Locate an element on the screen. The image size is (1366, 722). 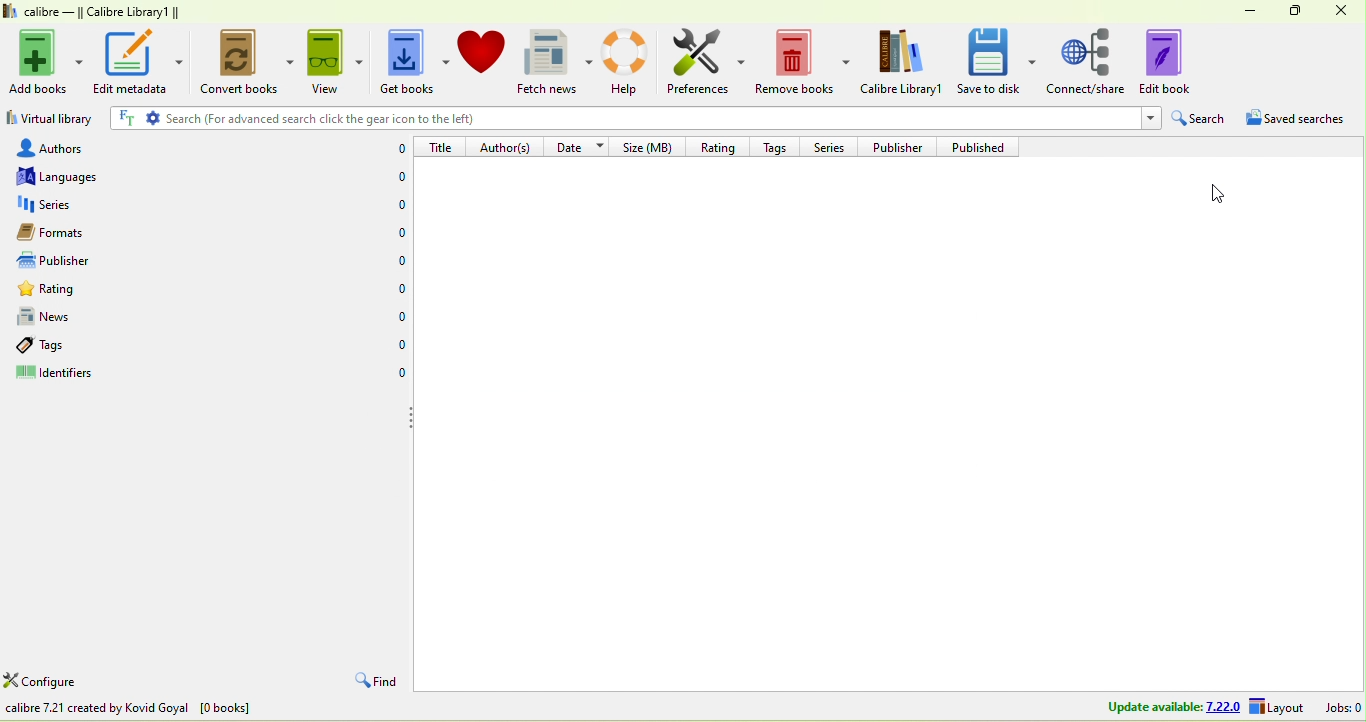
convert books is located at coordinates (242, 64).